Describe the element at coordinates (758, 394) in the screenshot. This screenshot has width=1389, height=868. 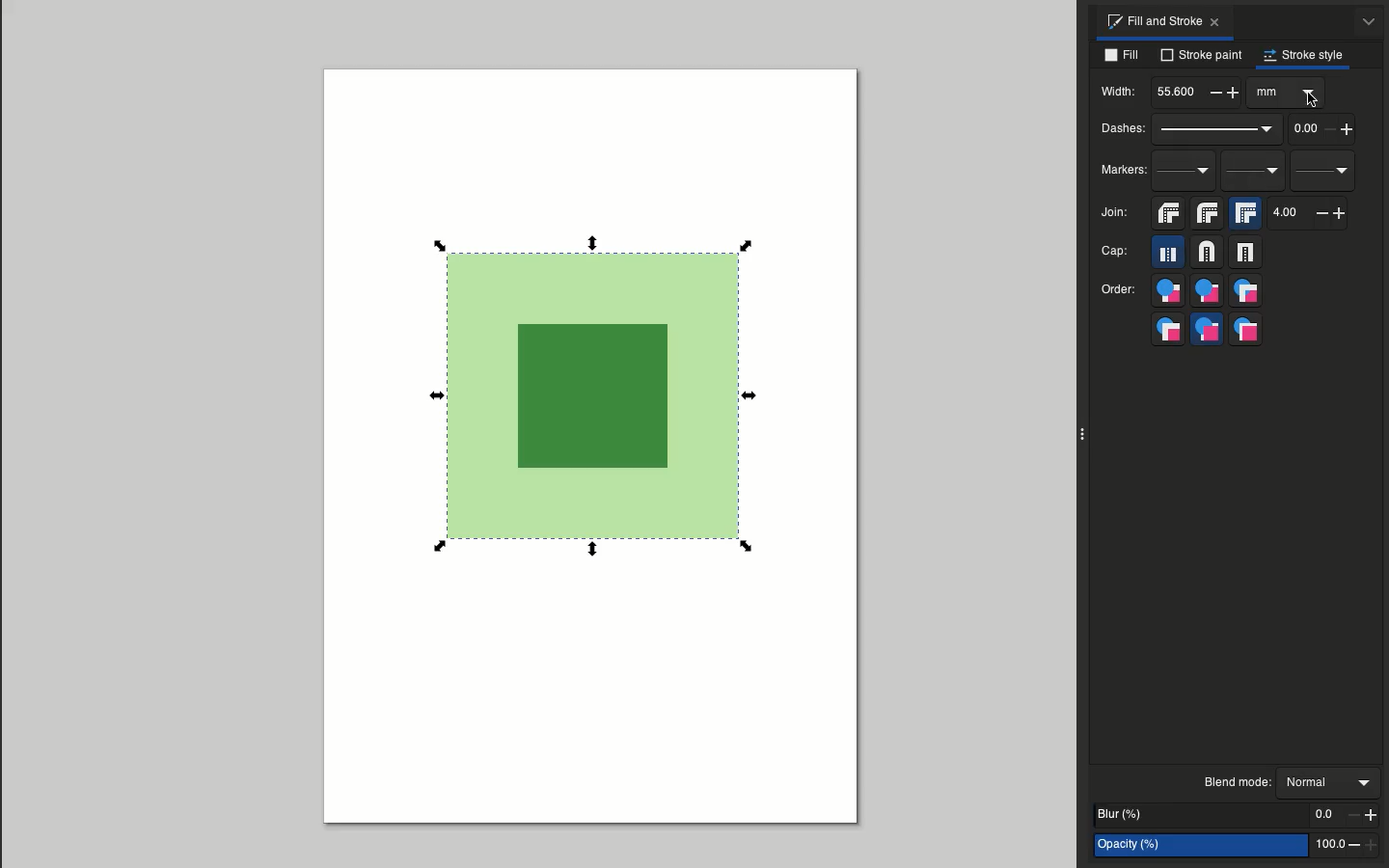
I see `Scale selection` at that location.